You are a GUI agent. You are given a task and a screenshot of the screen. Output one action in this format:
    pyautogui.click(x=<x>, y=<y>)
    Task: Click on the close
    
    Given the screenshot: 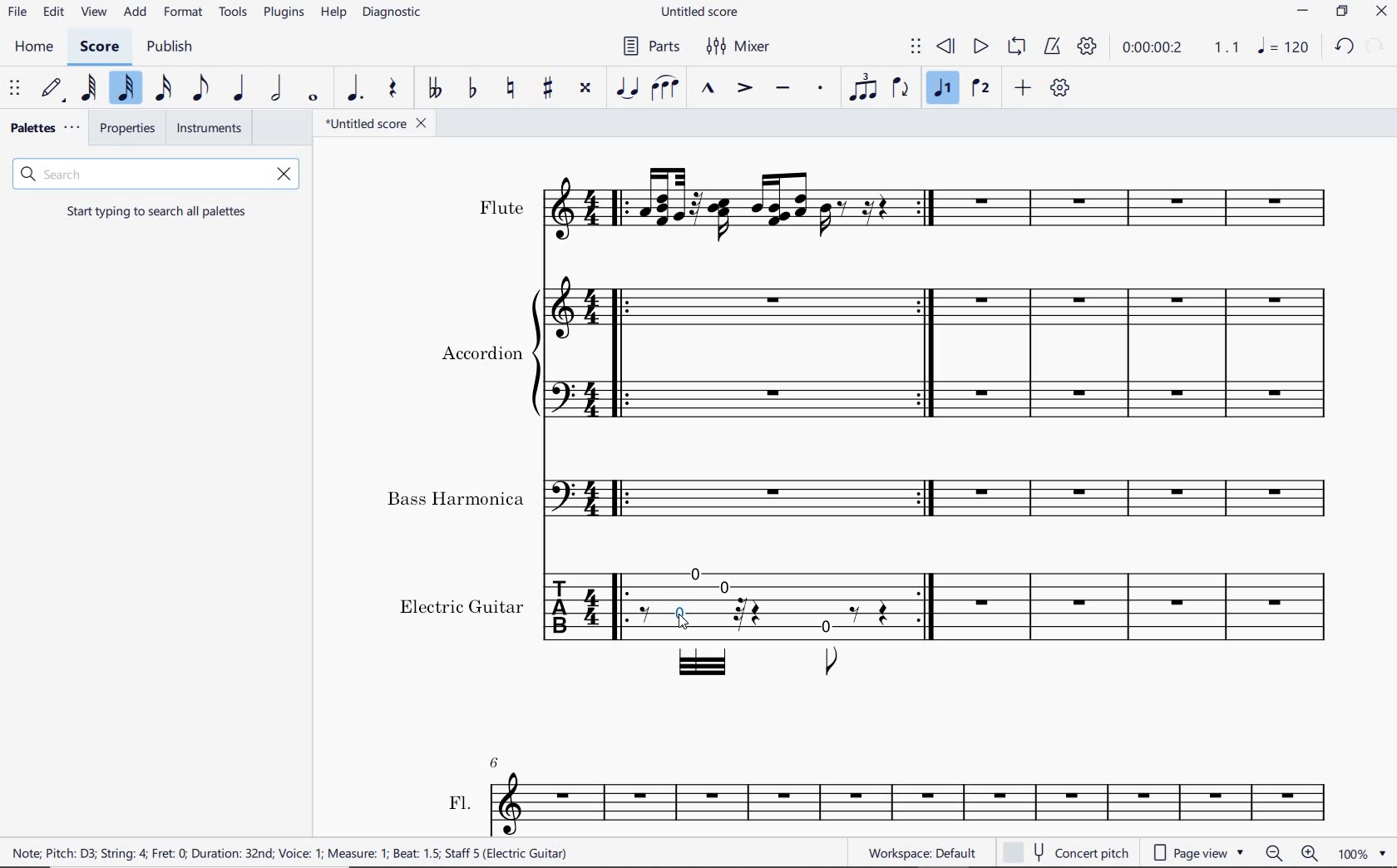 What is the action you would take?
    pyautogui.click(x=1382, y=12)
    